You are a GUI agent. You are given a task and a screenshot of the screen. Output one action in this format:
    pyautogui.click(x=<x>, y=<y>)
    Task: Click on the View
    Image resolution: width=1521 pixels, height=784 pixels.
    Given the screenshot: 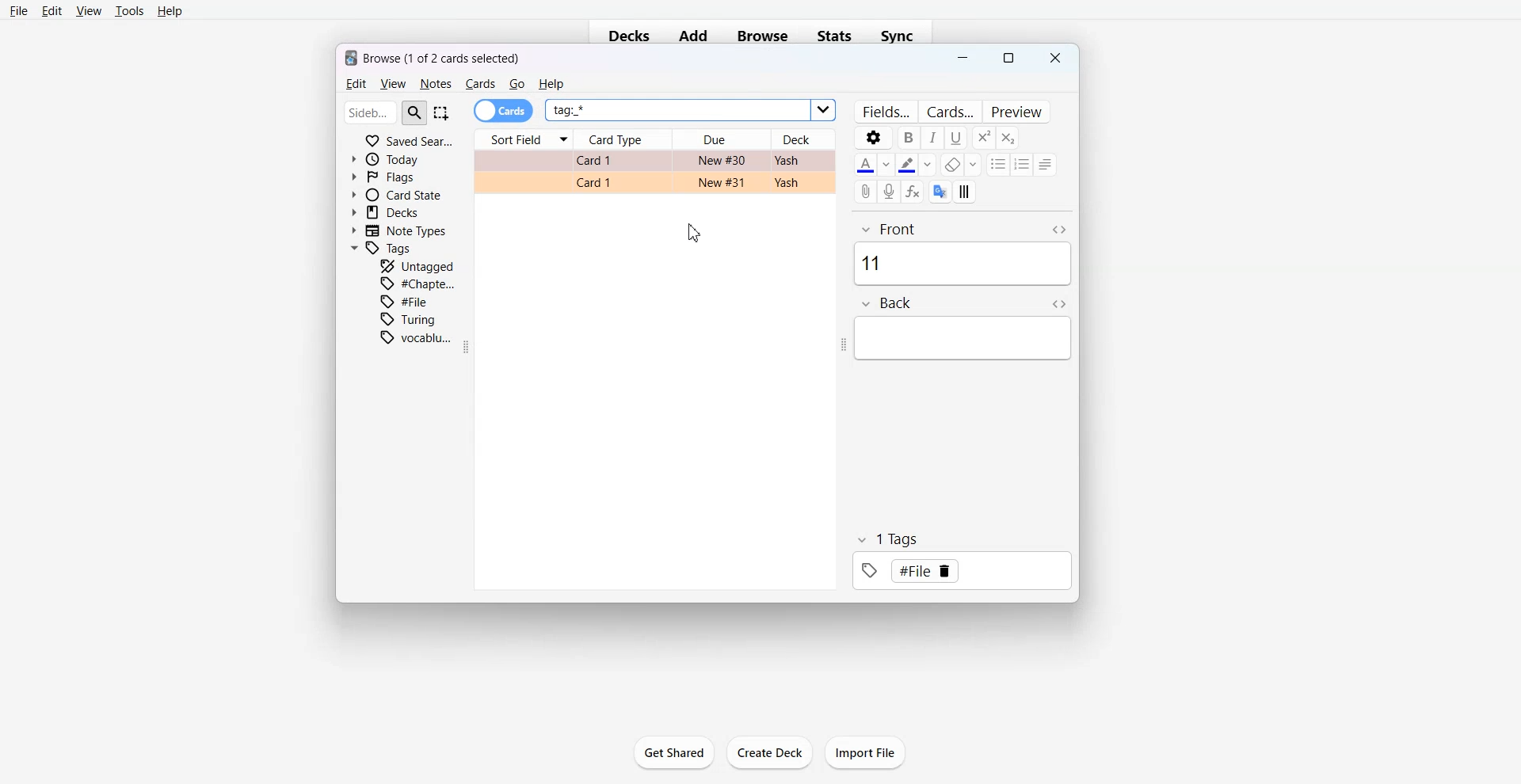 What is the action you would take?
    pyautogui.click(x=88, y=10)
    